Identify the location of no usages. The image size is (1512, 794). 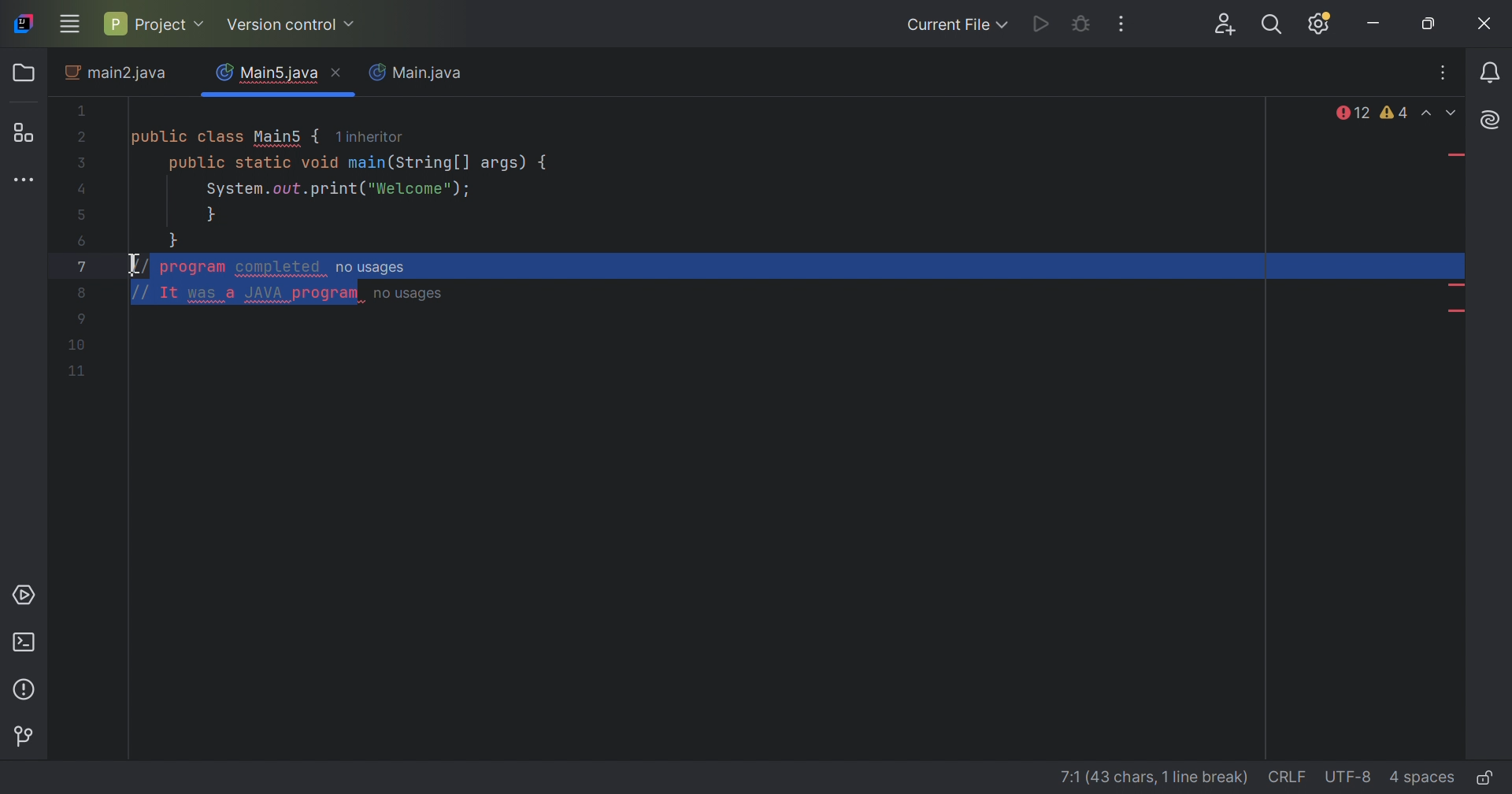
(409, 295).